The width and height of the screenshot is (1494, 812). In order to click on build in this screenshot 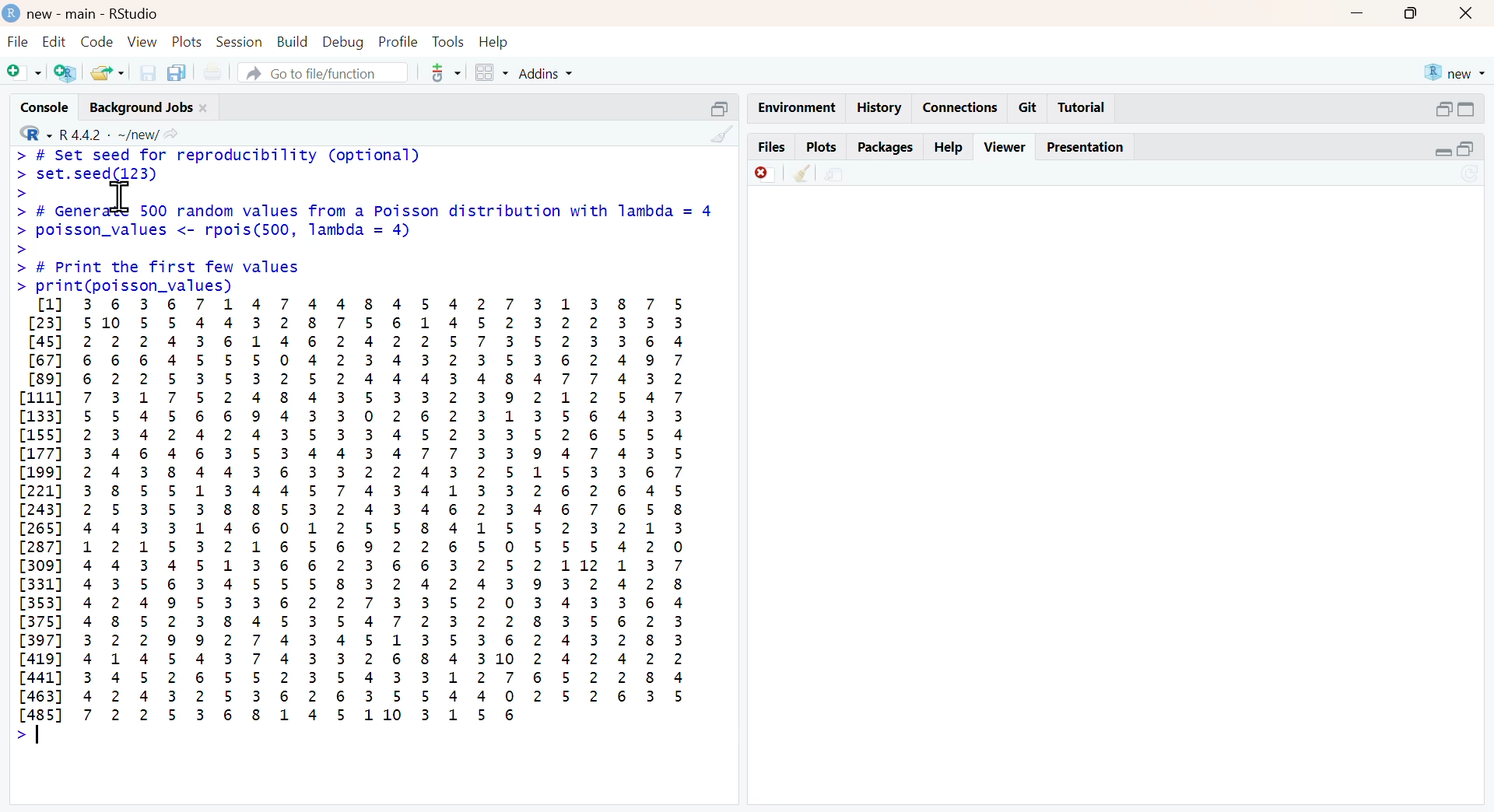, I will do `click(293, 40)`.